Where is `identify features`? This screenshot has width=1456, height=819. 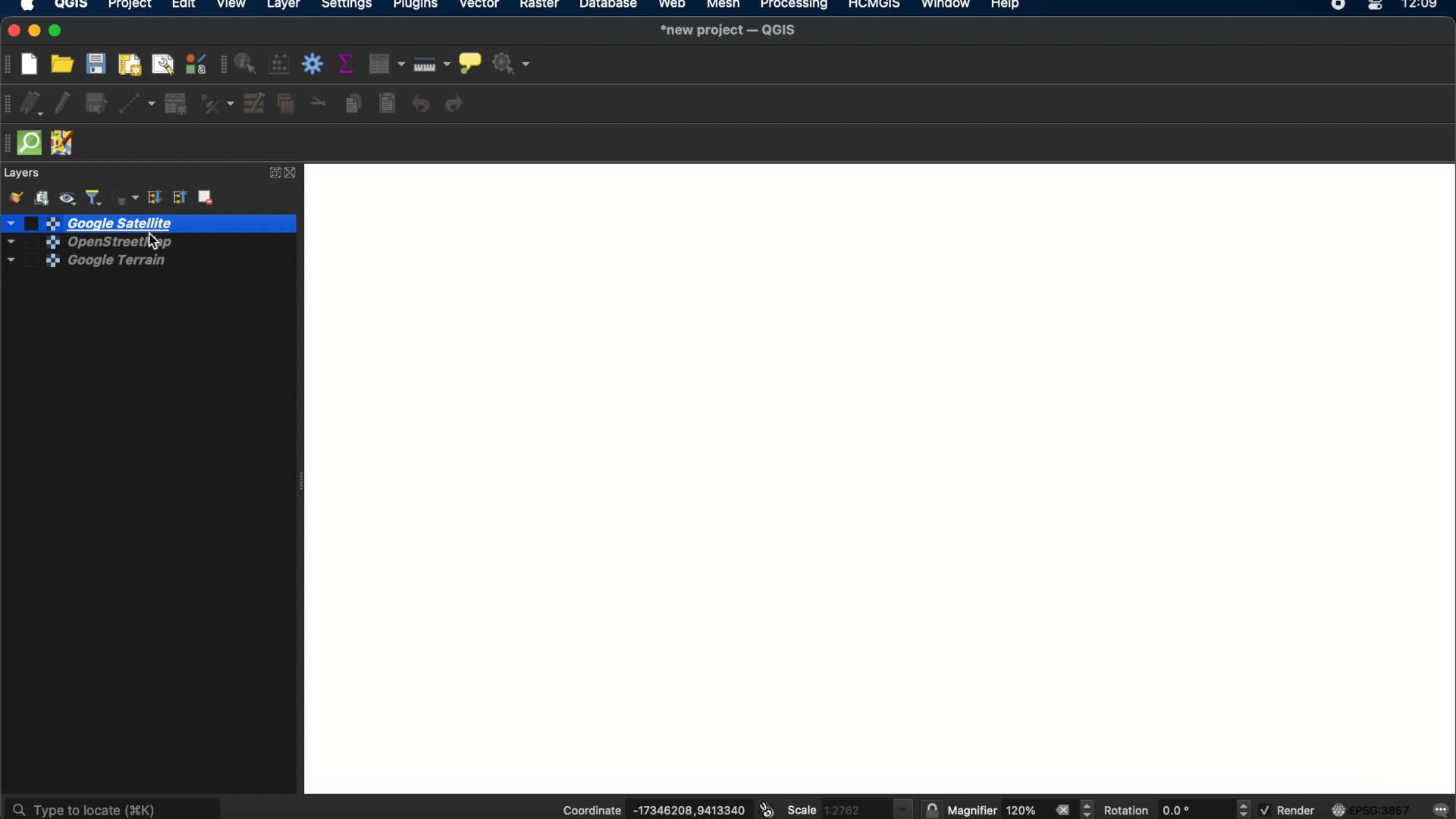
identify features is located at coordinates (248, 64).